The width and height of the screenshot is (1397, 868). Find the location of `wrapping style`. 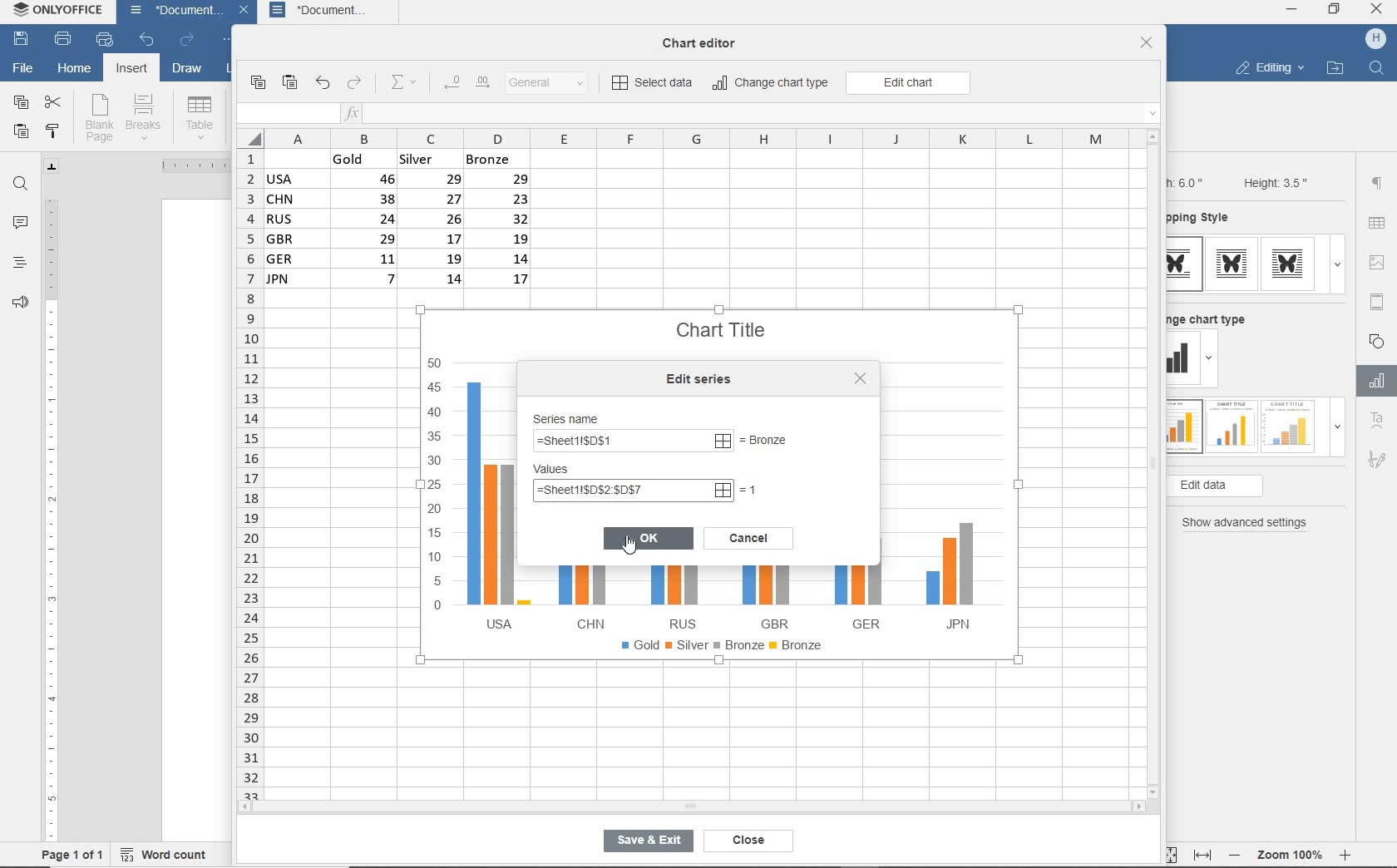

wrapping style is located at coordinates (1205, 219).